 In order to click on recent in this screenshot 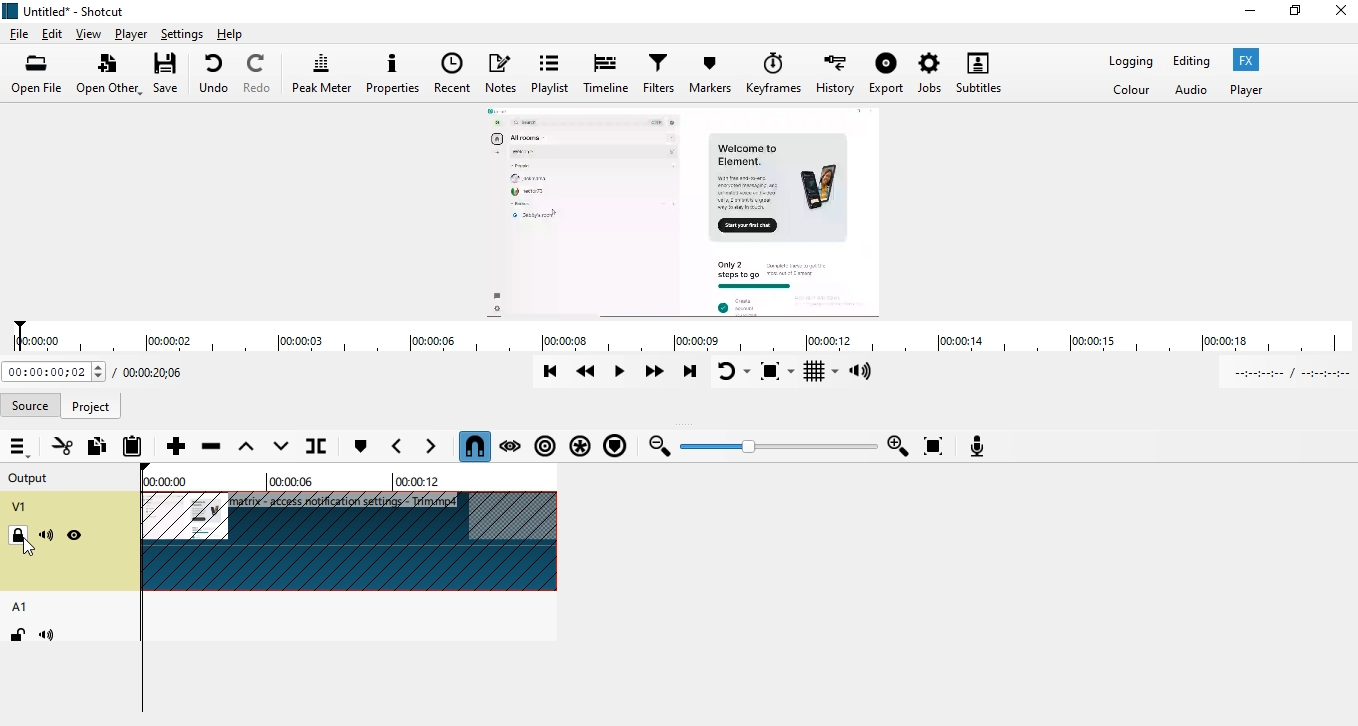, I will do `click(455, 72)`.